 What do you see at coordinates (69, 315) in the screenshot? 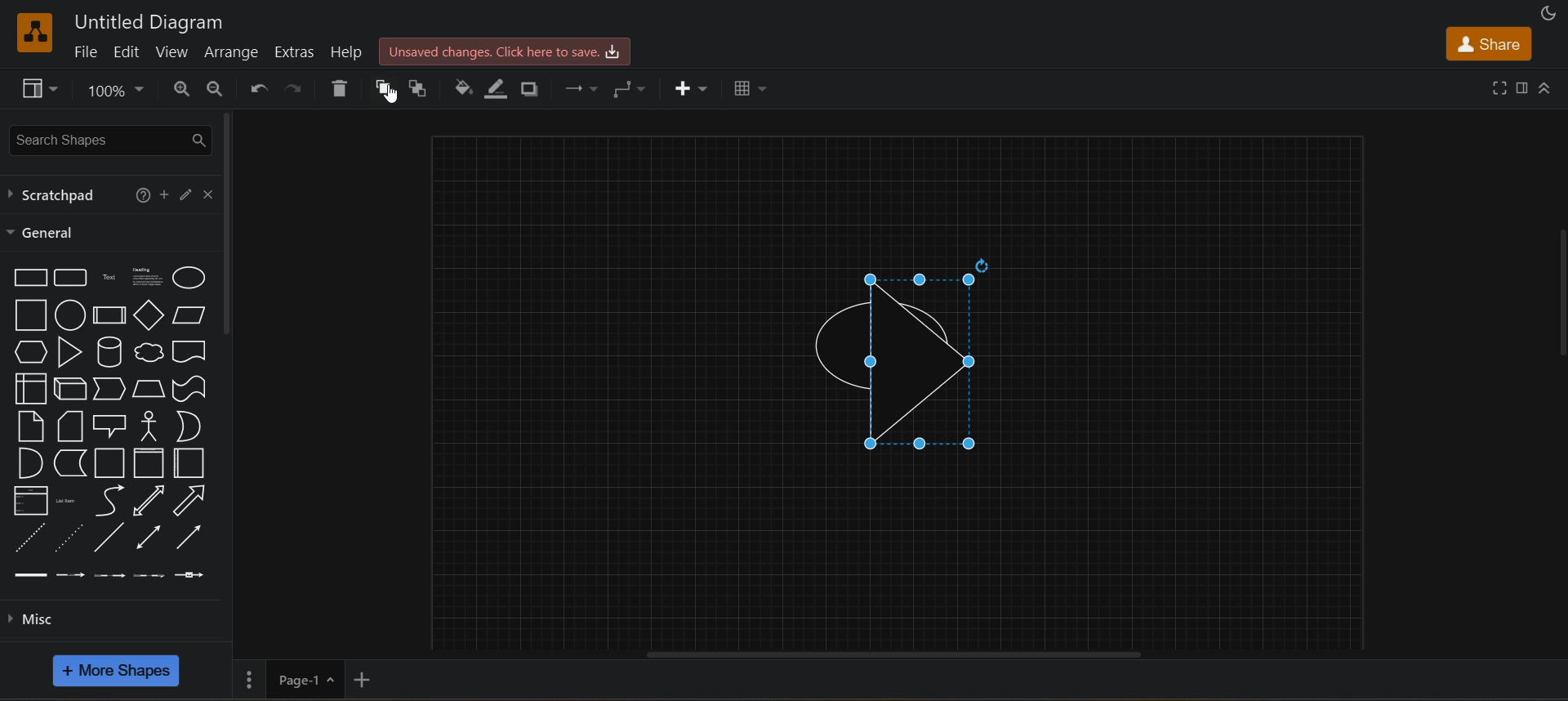
I see `circle` at bounding box center [69, 315].